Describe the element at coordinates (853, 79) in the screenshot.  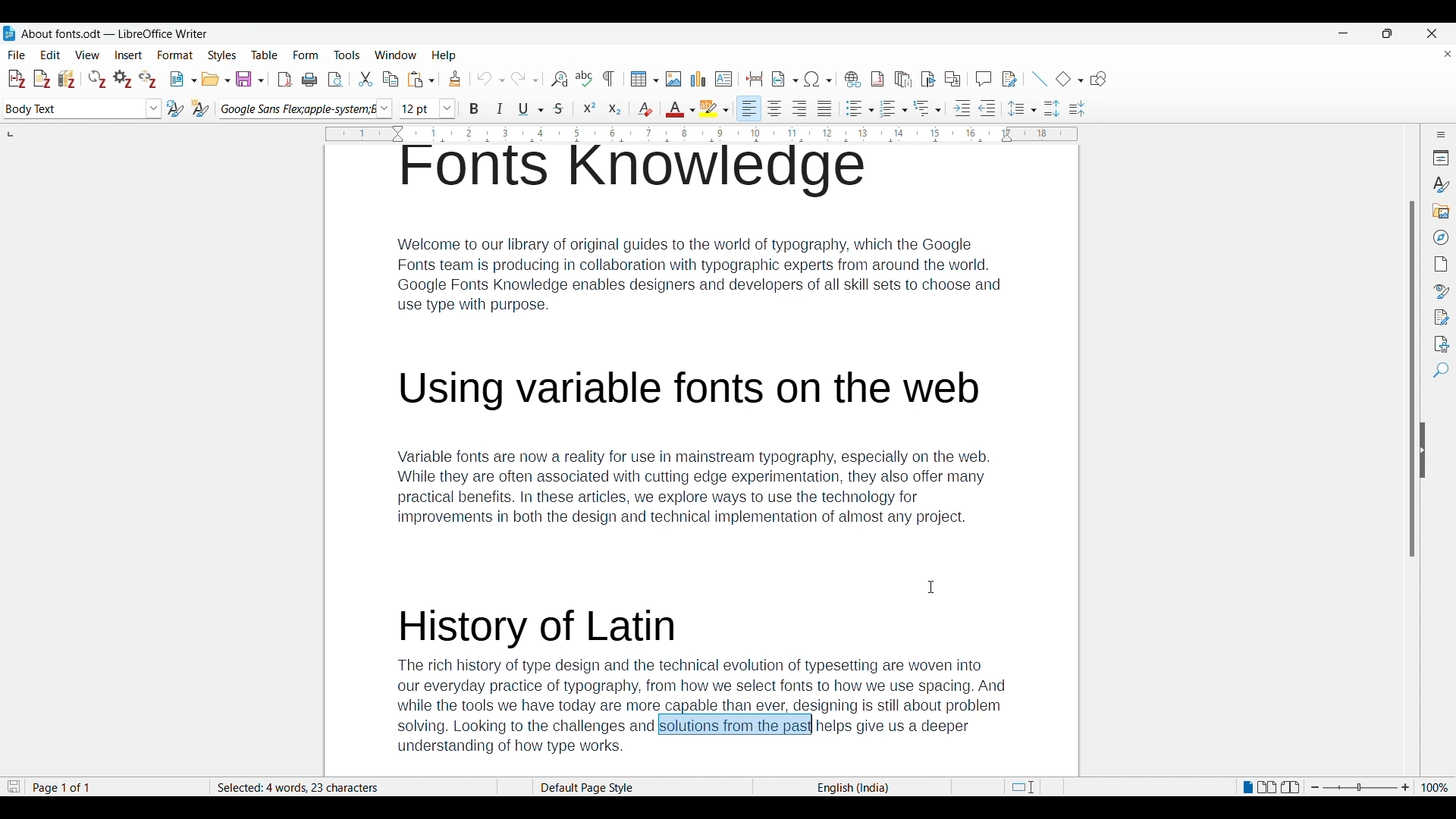
I see `Insert hyperlink` at that location.